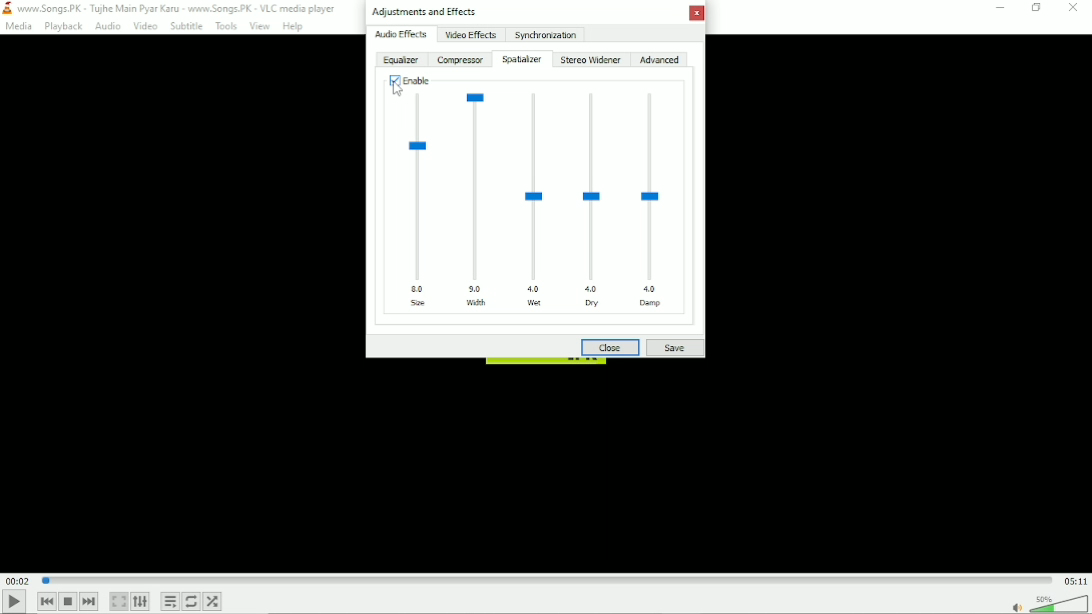 This screenshot has width=1092, height=614. I want to click on Width, so click(479, 197).